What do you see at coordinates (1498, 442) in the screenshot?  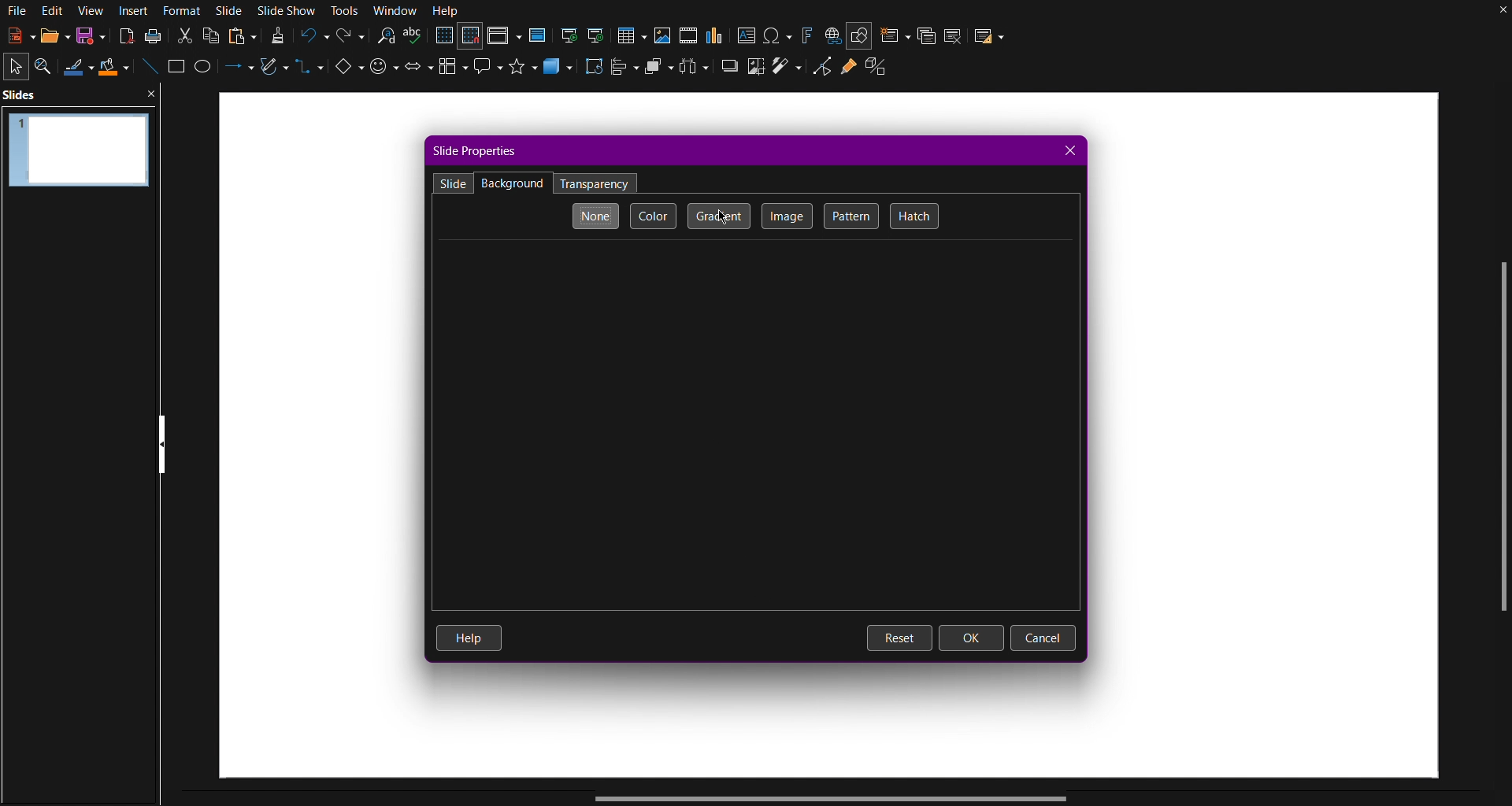 I see `Scrollbar` at bounding box center [1498, 442].